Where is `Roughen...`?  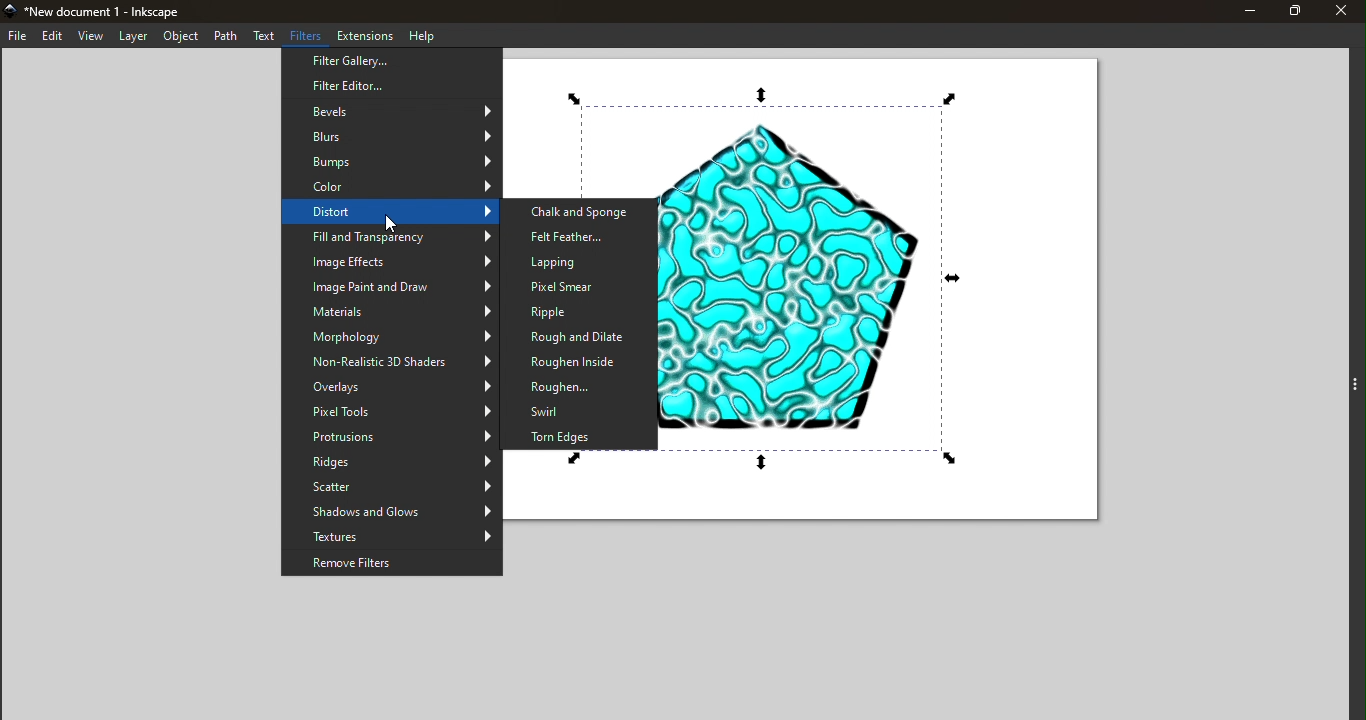 Roughen... is located at coordinates (579, 385).